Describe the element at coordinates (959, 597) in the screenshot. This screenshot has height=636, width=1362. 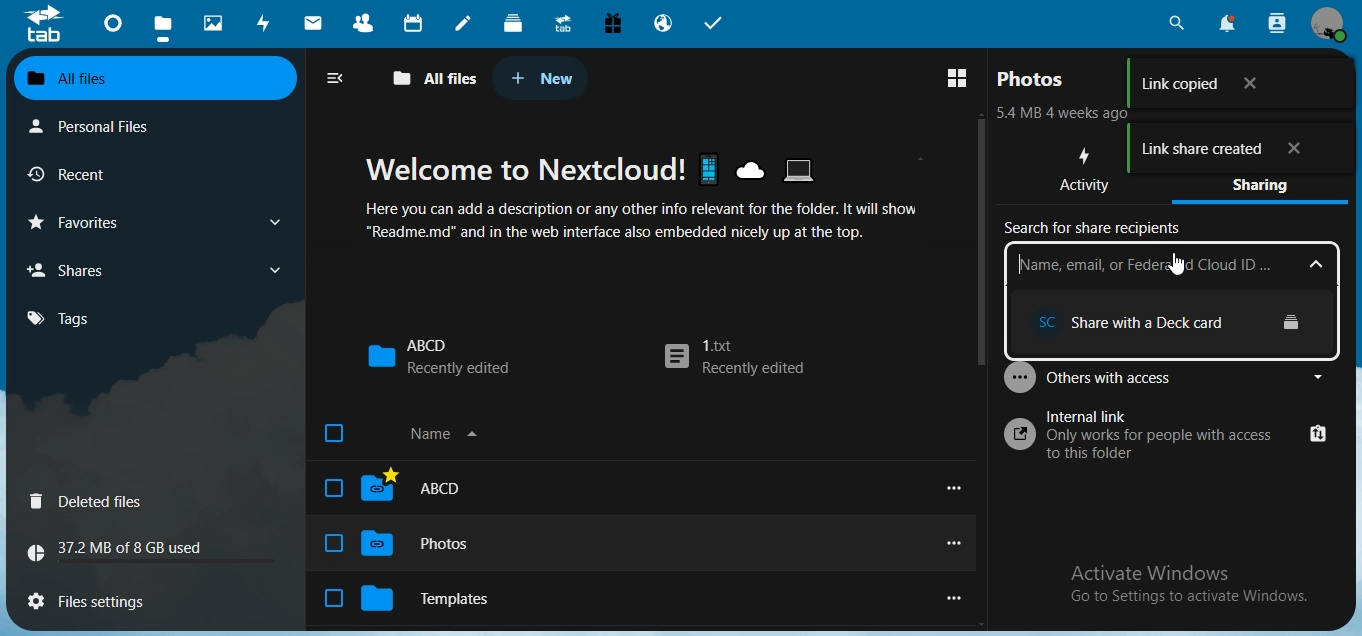
I see `more options` at that location.